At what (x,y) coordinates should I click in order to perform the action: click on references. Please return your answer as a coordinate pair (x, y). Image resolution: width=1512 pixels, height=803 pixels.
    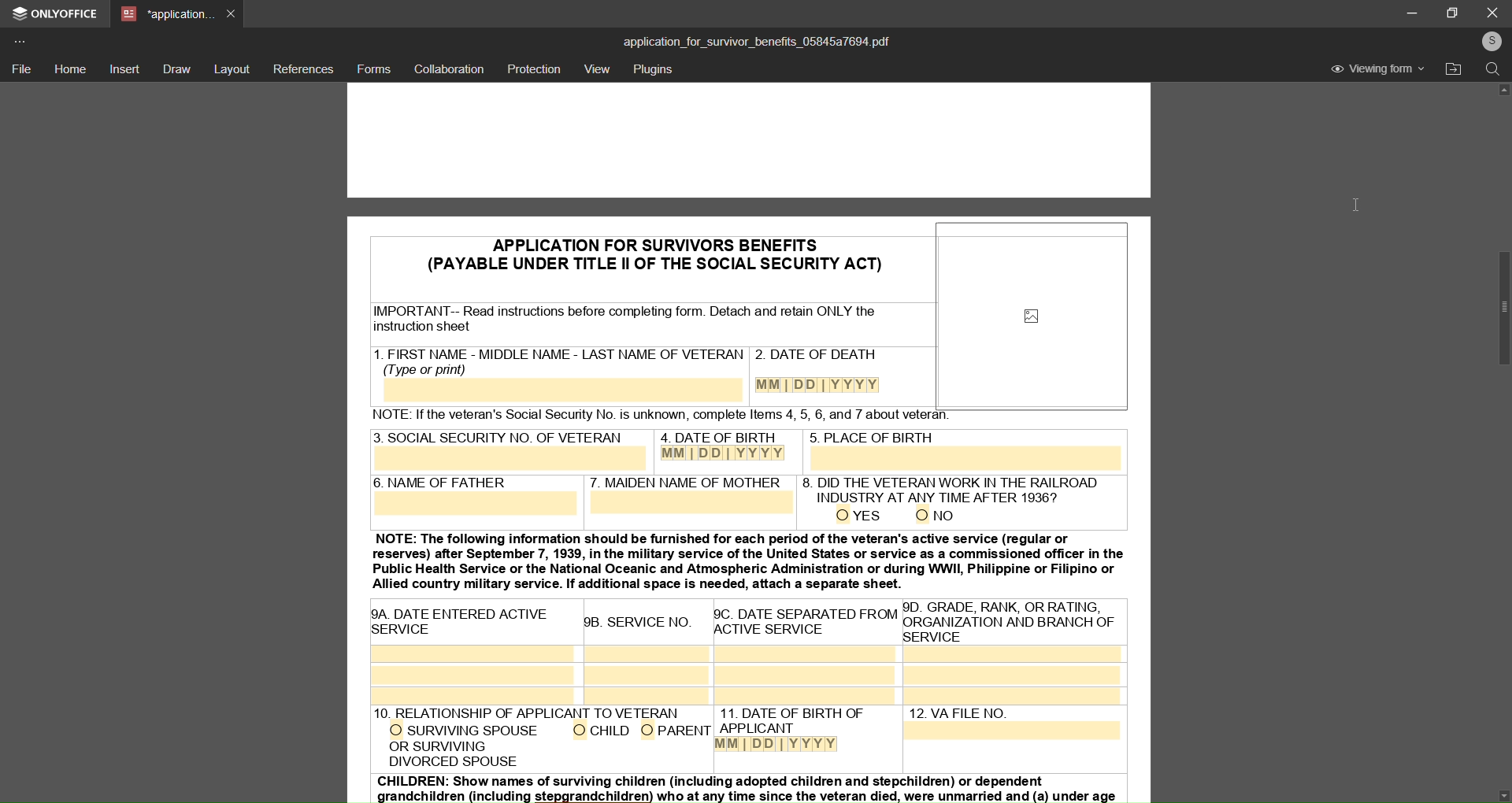
    Looking at the image, I should click on (304, 68).